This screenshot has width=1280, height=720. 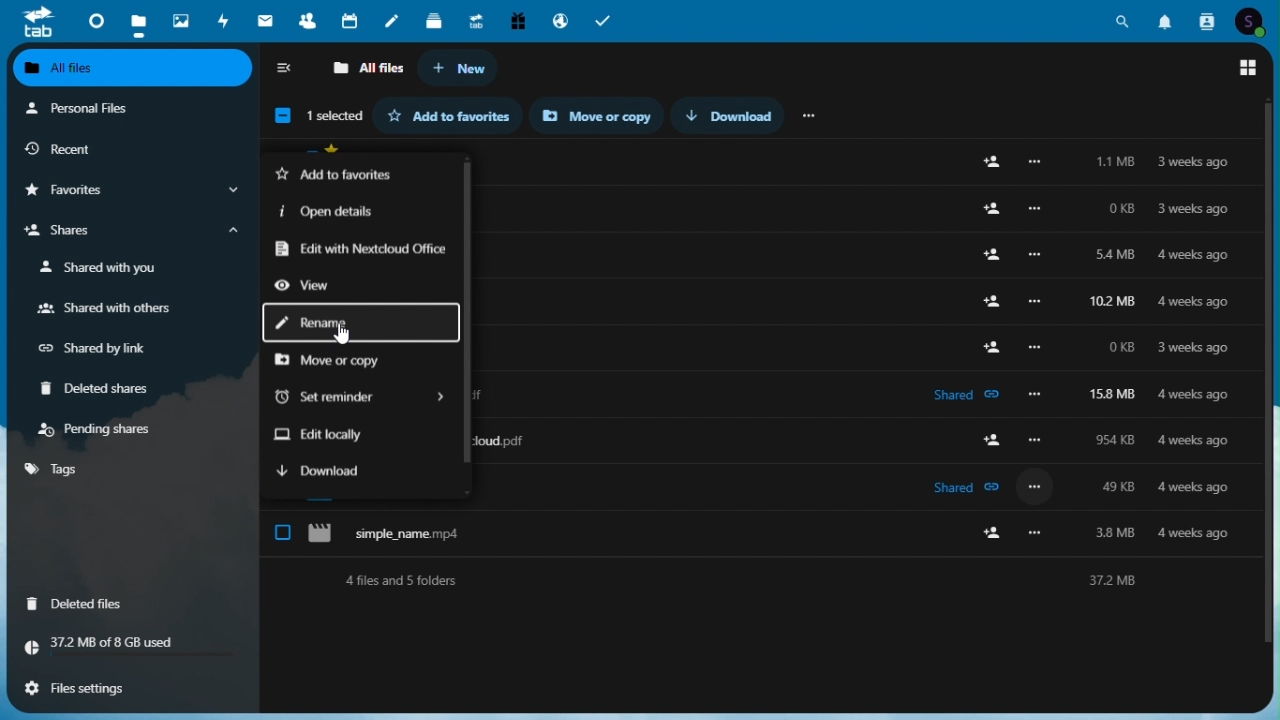 What do you see at coordinates (339, 363) in the screenshot?
I see `move or copy` at bounding box center [339, 363].